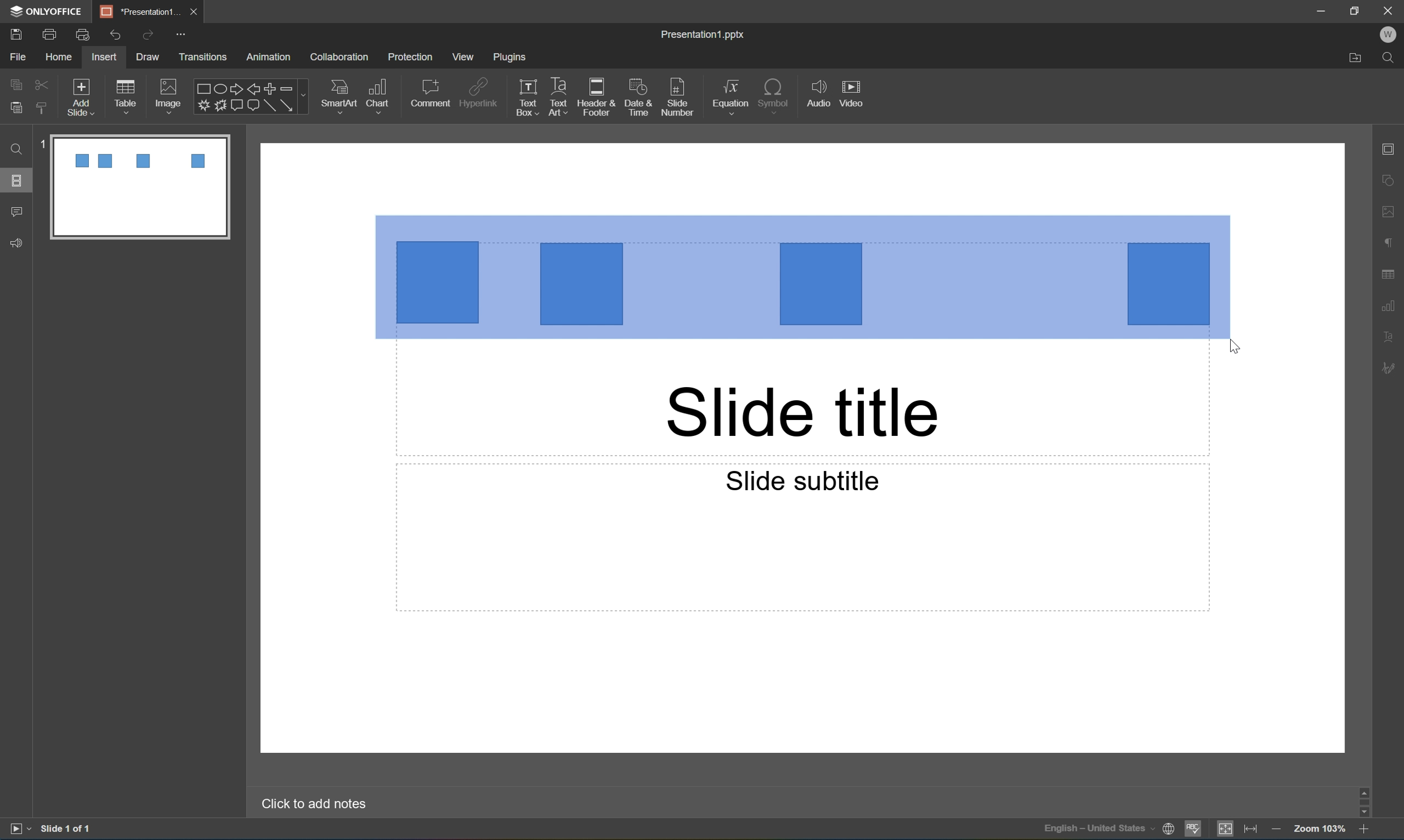 The width and height of the screenshot is (1404, 840). What do you see at coordinates (18, 109) in the screenshot?
I see `paste` at bounding box center [18, 109].